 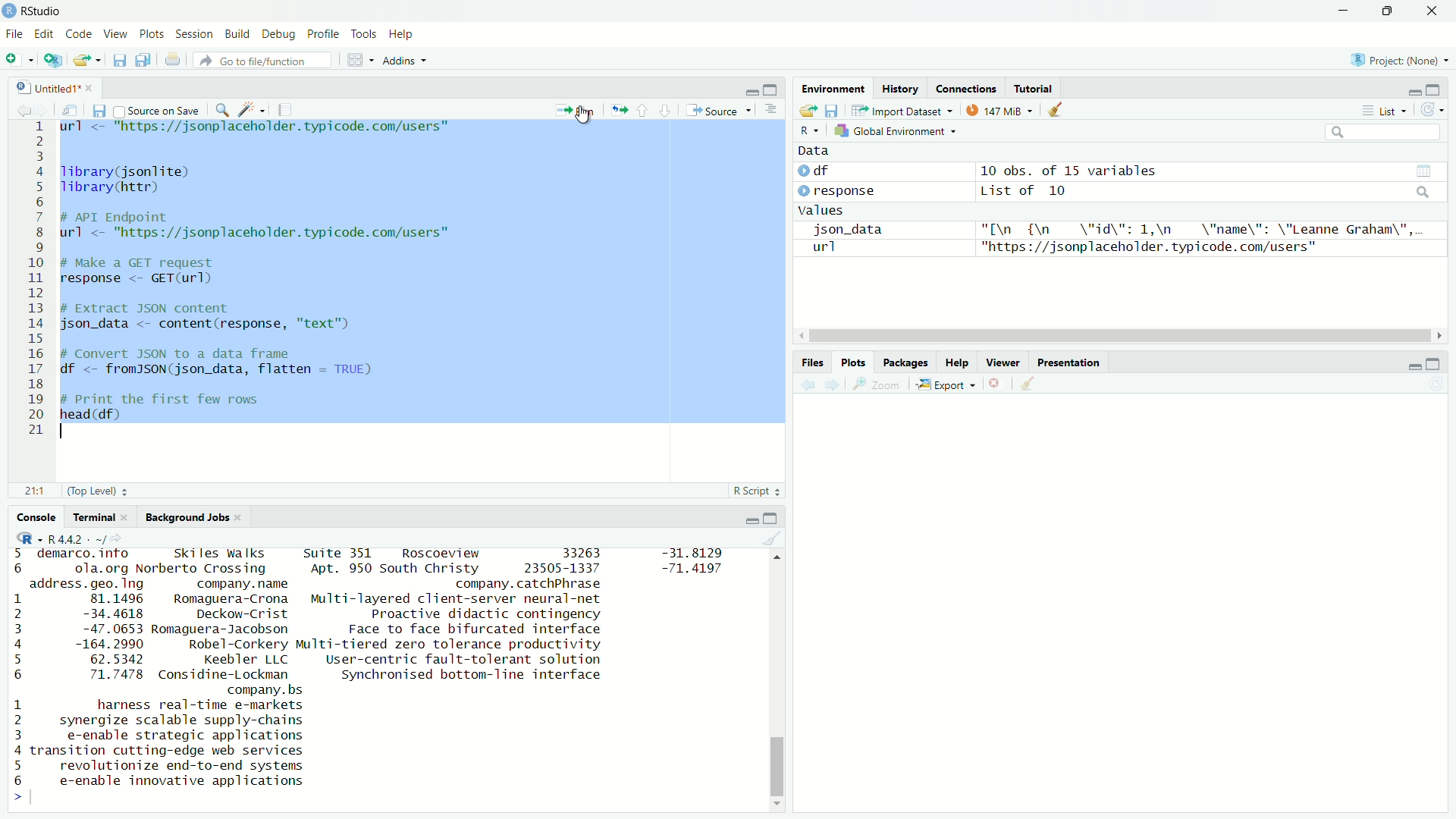 What do you see at coordinates (16, 669) in the screenshot?
I see `Rows` at bounding box center [16, 669].